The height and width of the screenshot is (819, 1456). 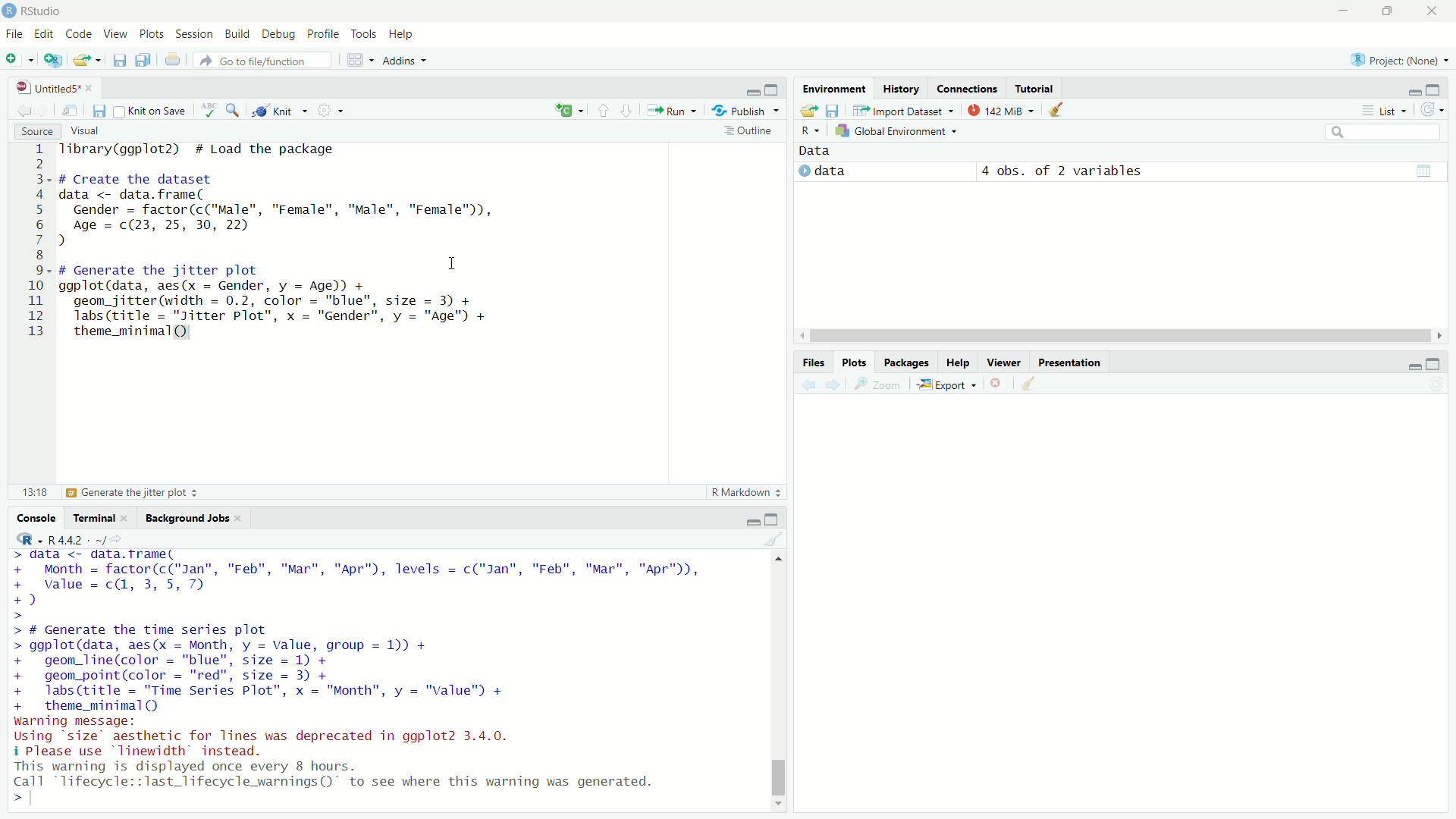 What do you see at coordinates (171, 59) in the screenshot?
I see `print the file` at bounding box center [171, 59].